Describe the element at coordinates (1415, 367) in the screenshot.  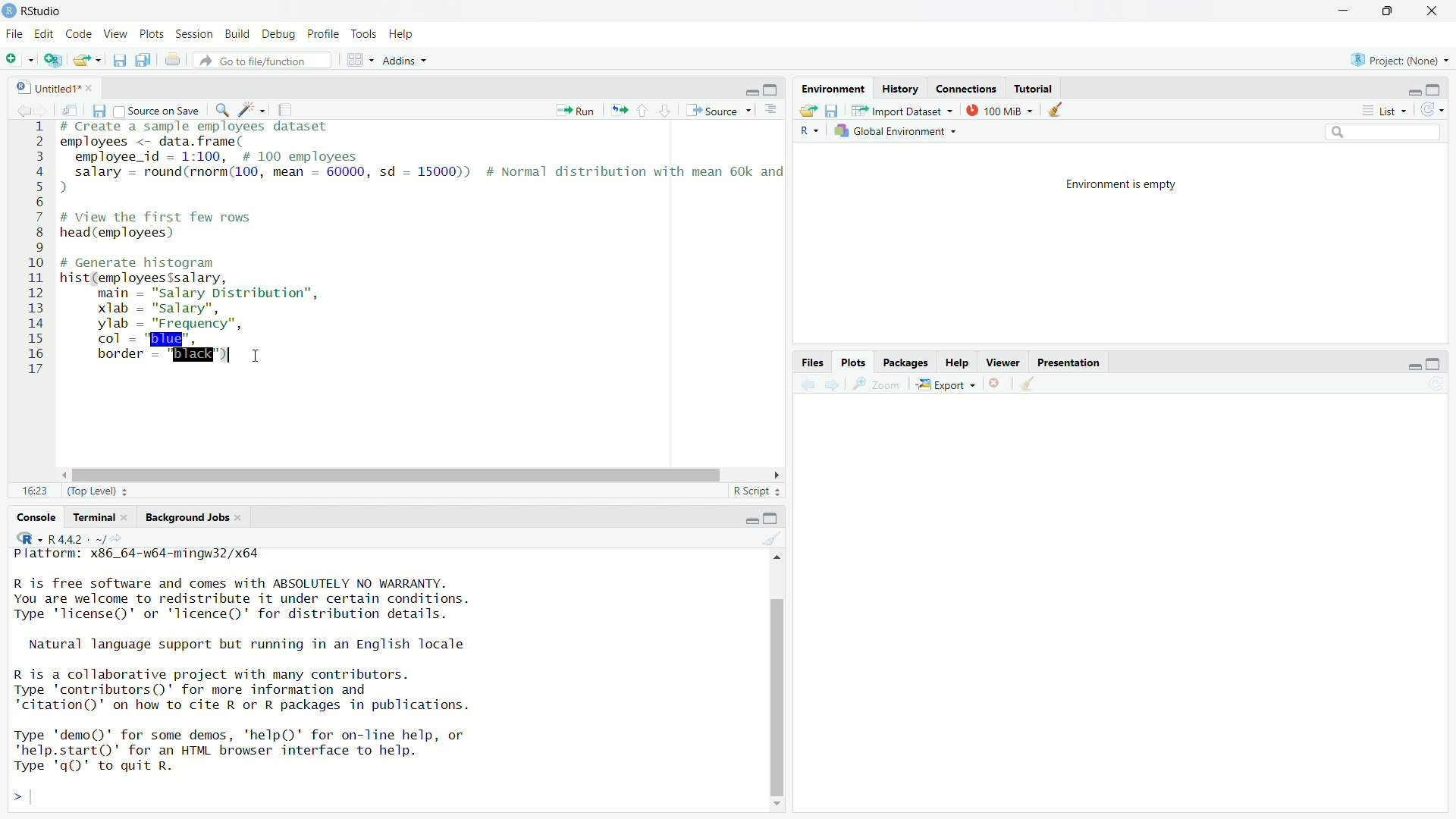
I see `minimise` at that location.